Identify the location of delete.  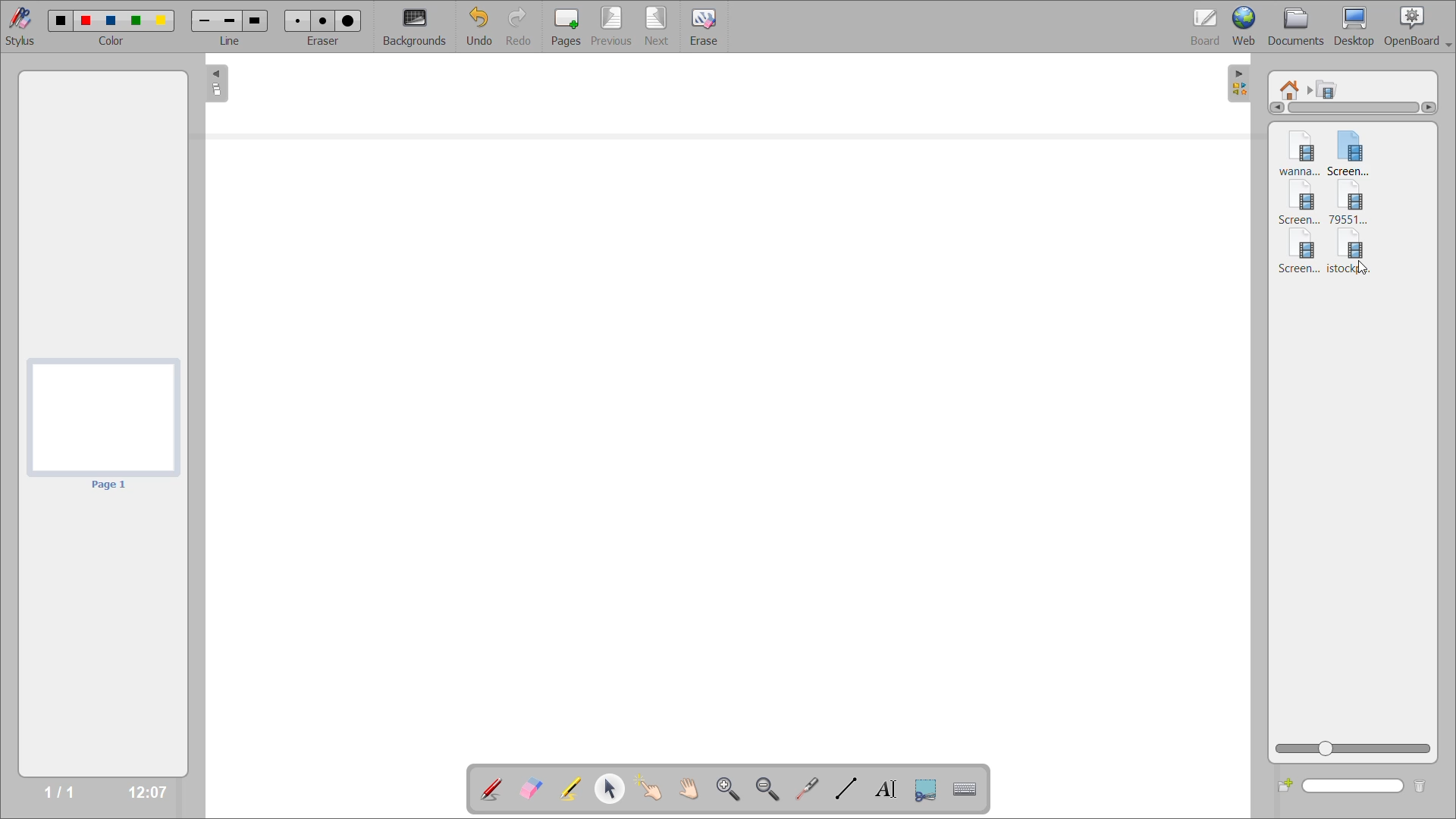
(1420, 787).